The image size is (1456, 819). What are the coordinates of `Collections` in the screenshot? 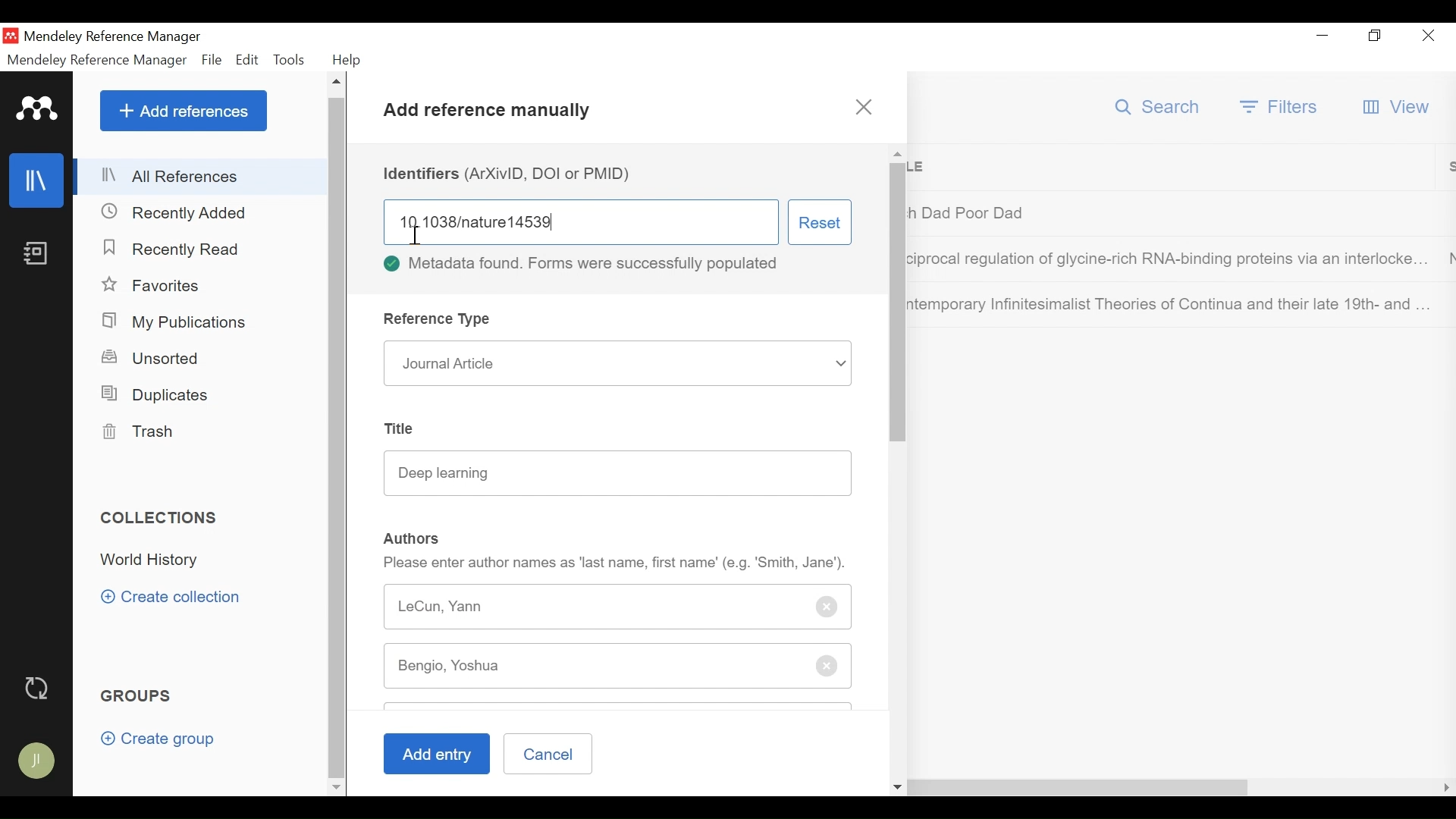 It's located at (161, 518).